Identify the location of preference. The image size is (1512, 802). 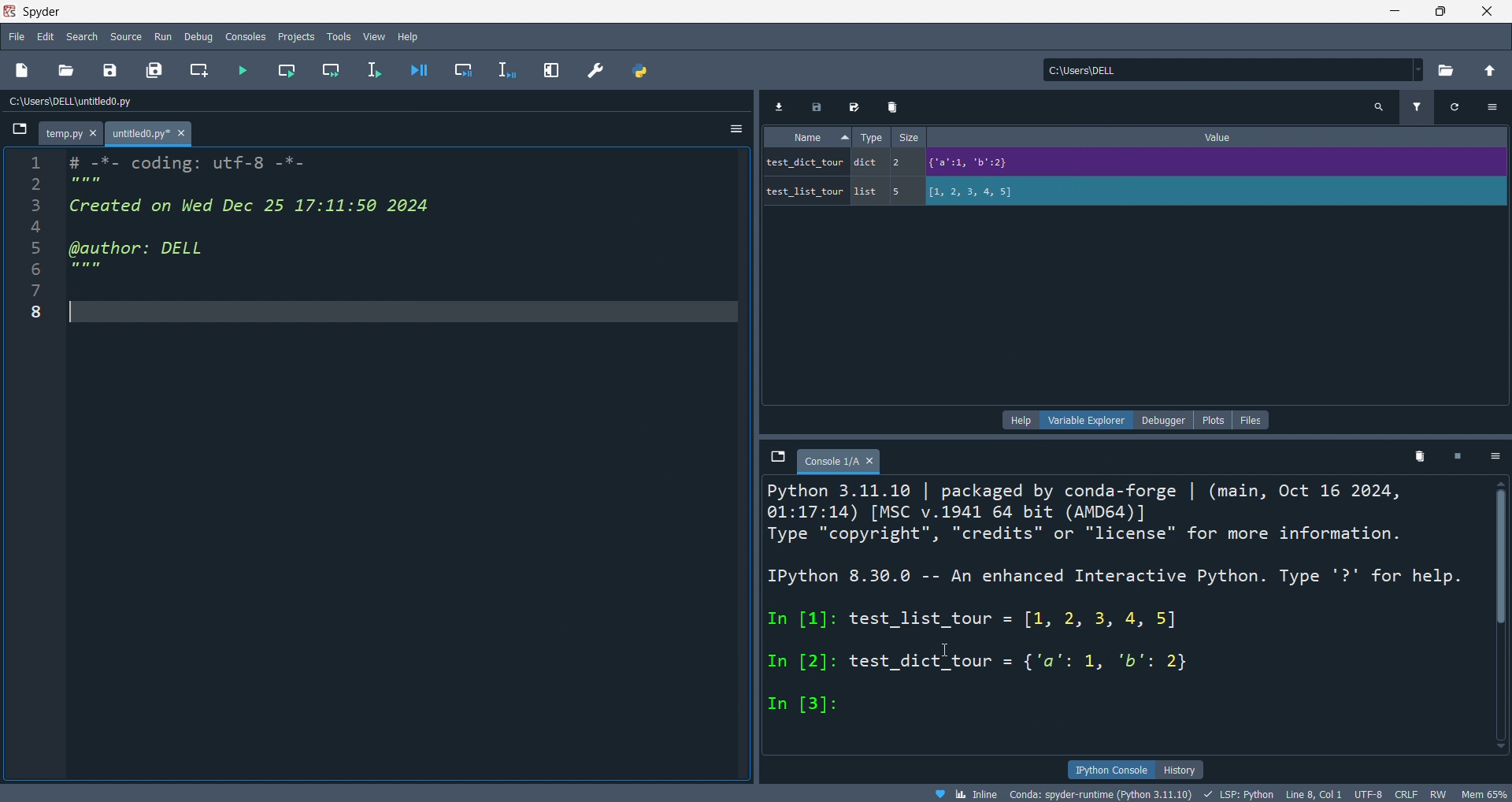
(598, 70).